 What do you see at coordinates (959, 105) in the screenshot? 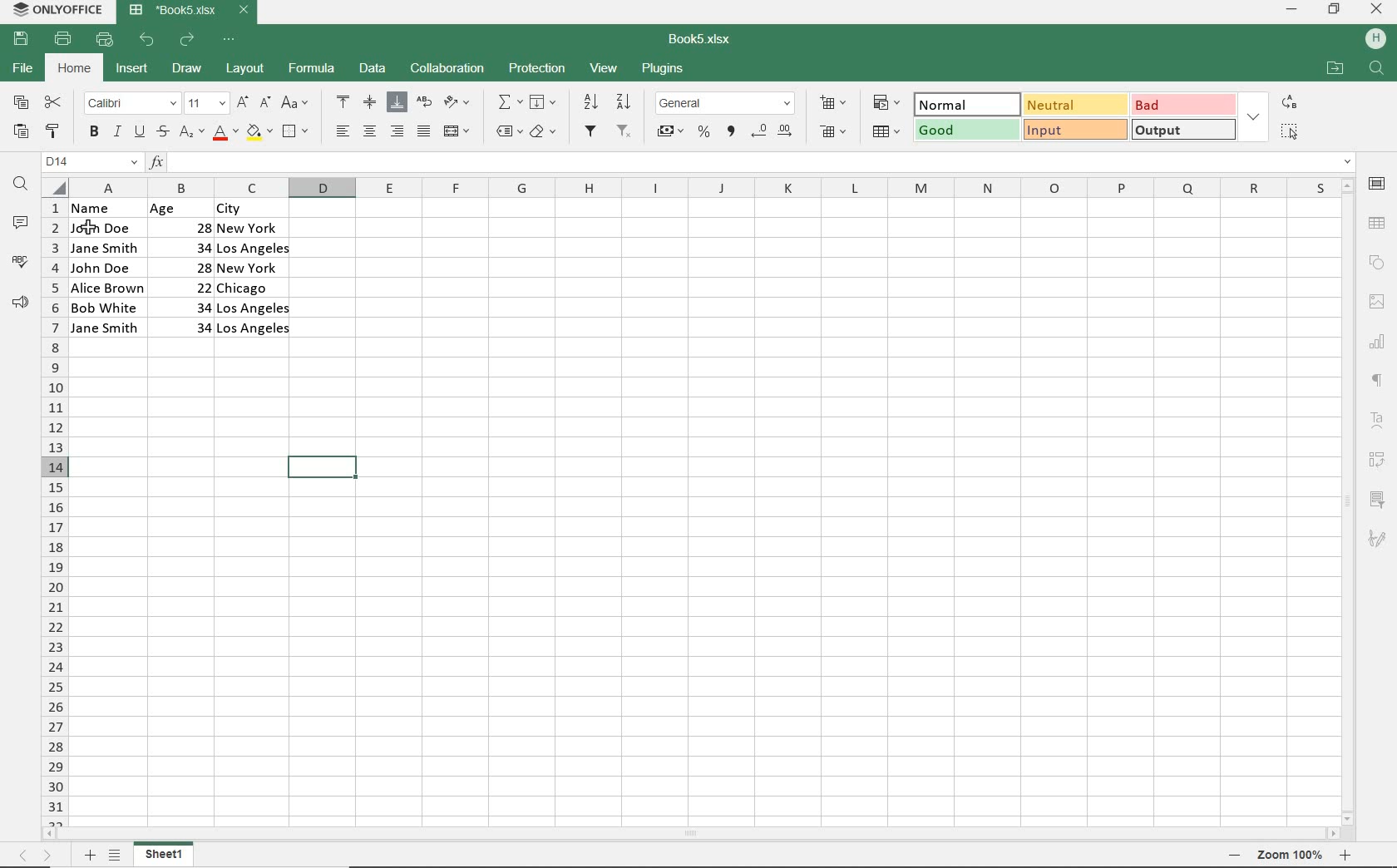
I see `NORMAL` at bounding box center [959, 105].